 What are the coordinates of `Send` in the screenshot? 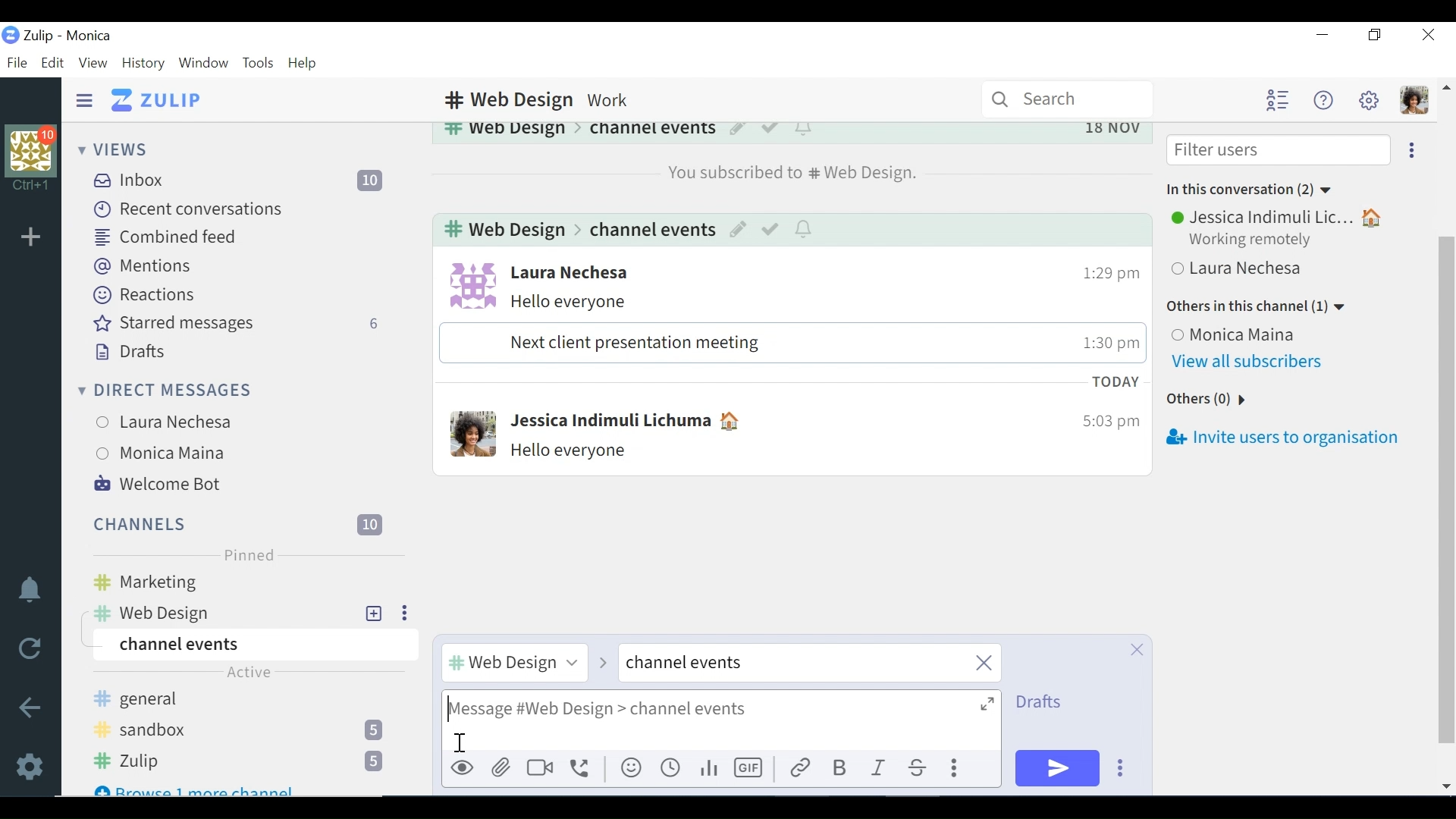 It's located at (1058, 768).